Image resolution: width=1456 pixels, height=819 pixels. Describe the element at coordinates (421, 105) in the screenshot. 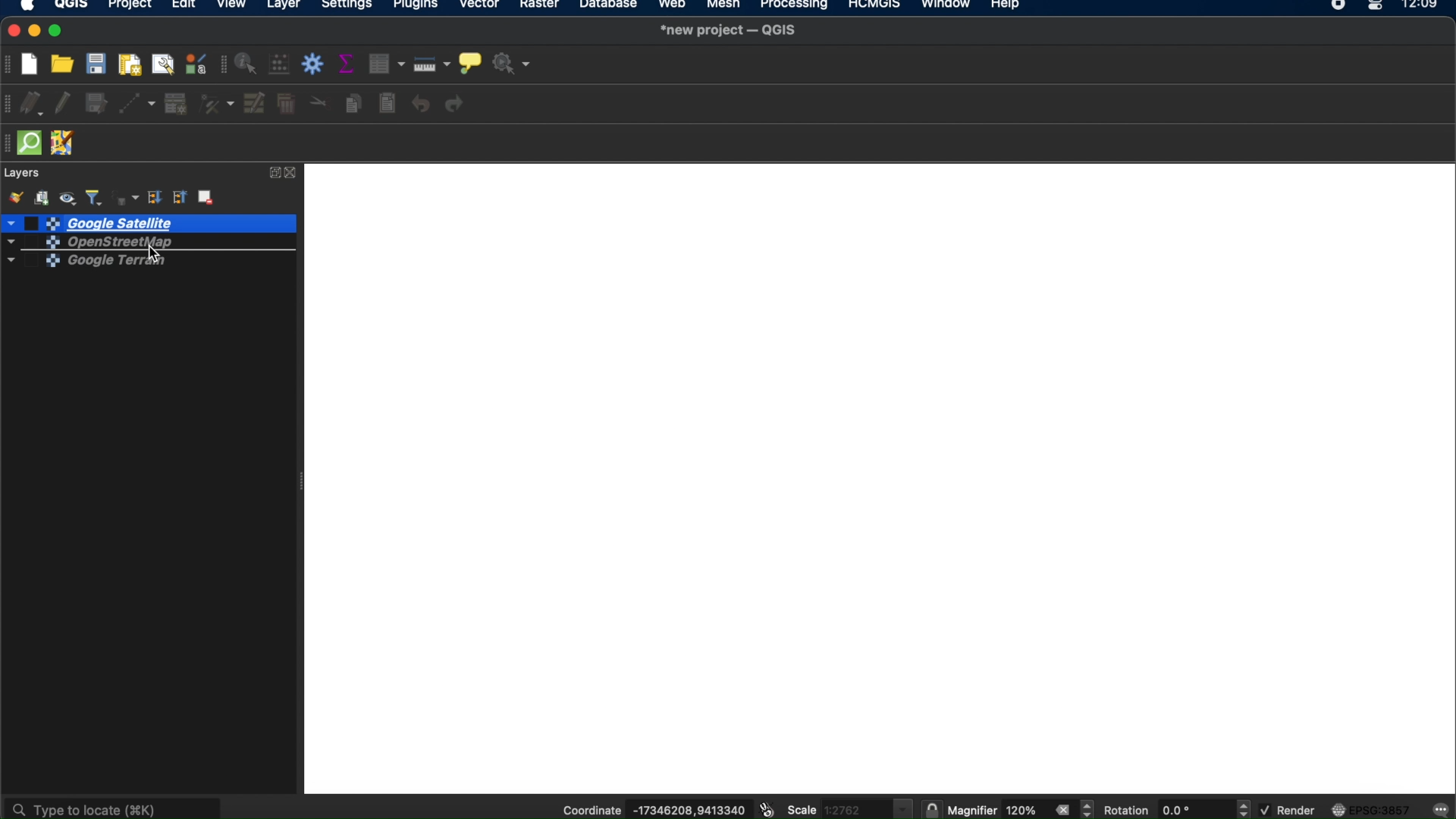

I see `undo` at that location.